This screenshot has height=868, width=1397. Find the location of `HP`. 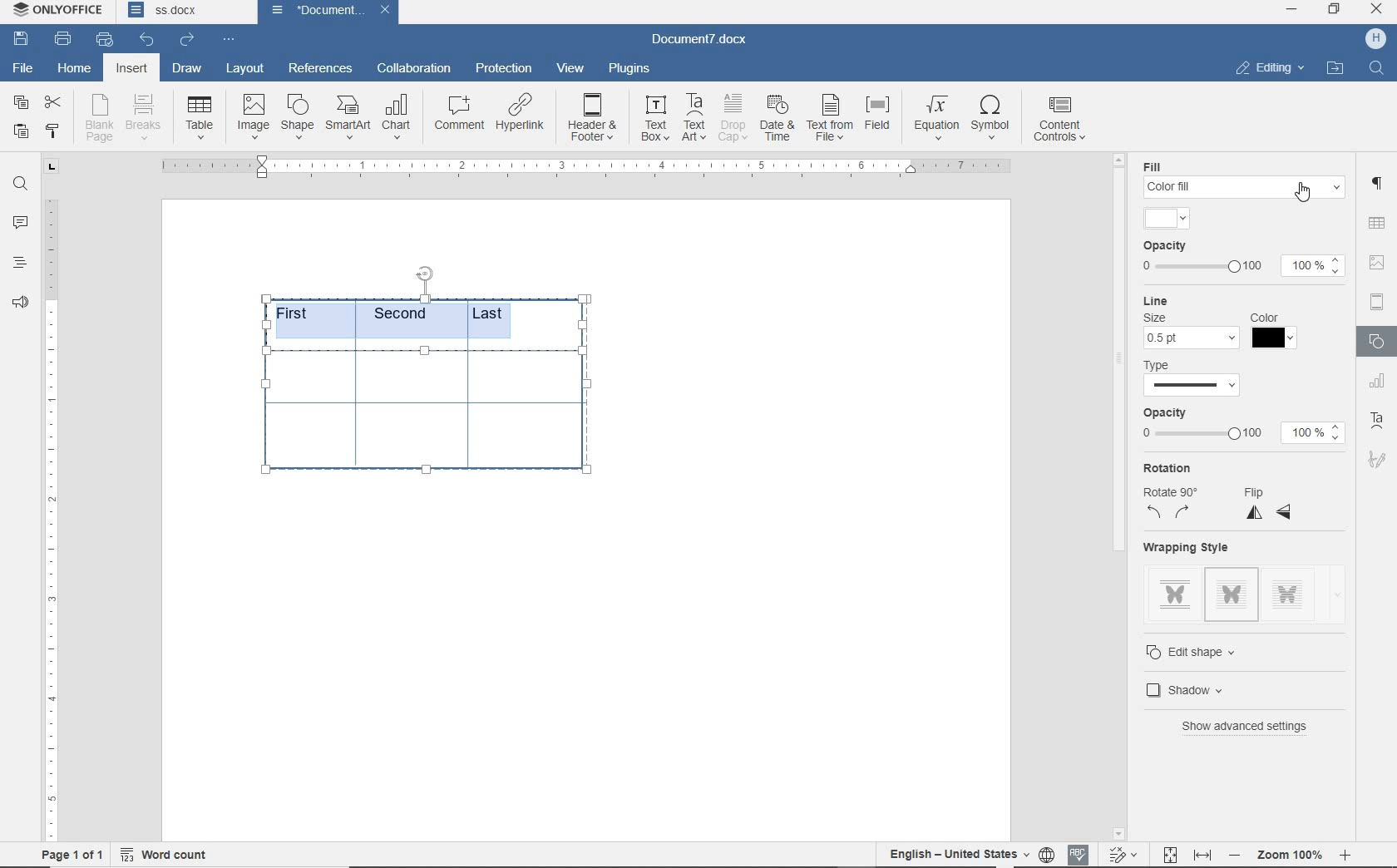

HP is located at coordinates (1374, 38).